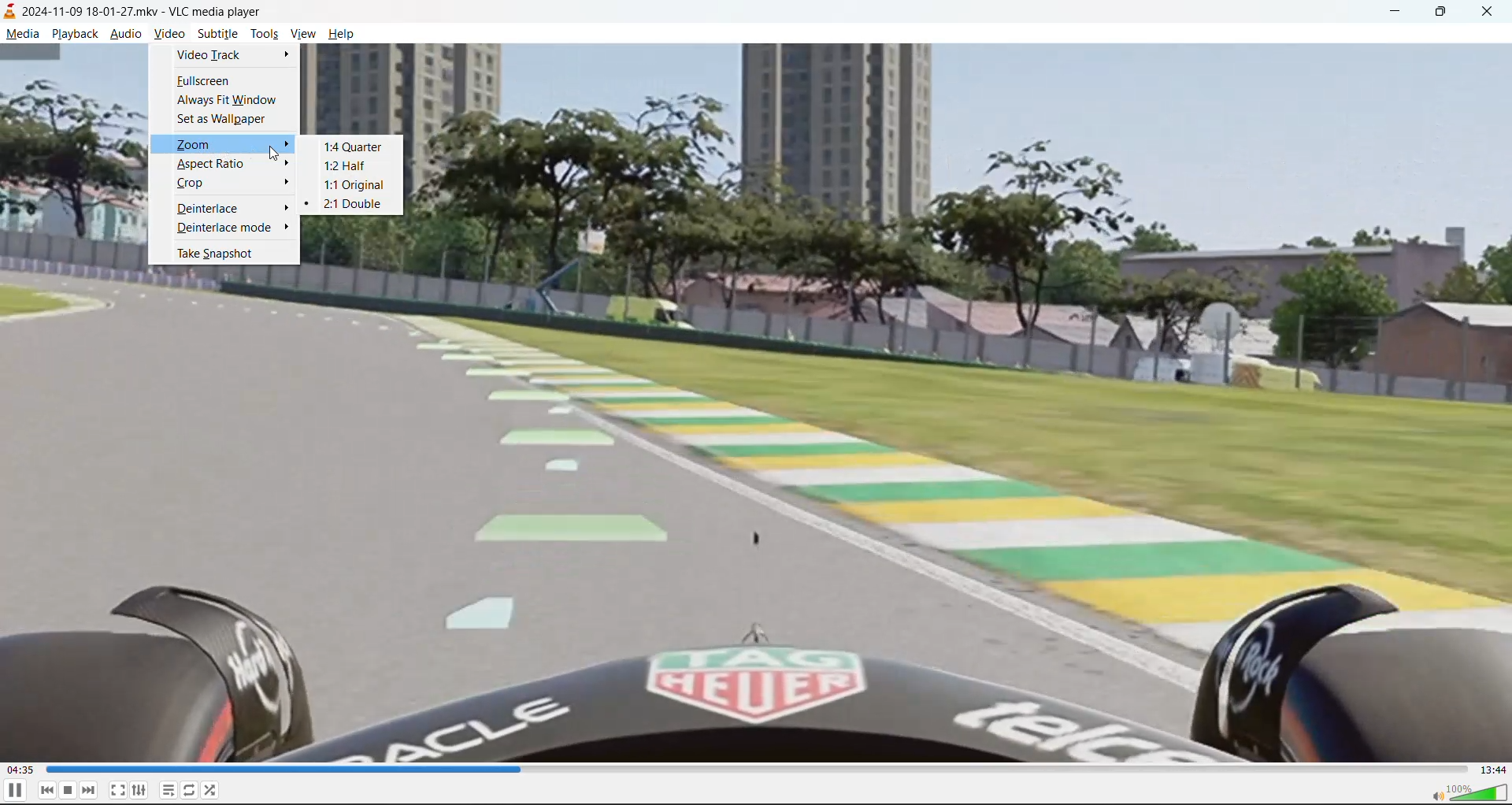  I want to click on volume, so click(1470, 792).